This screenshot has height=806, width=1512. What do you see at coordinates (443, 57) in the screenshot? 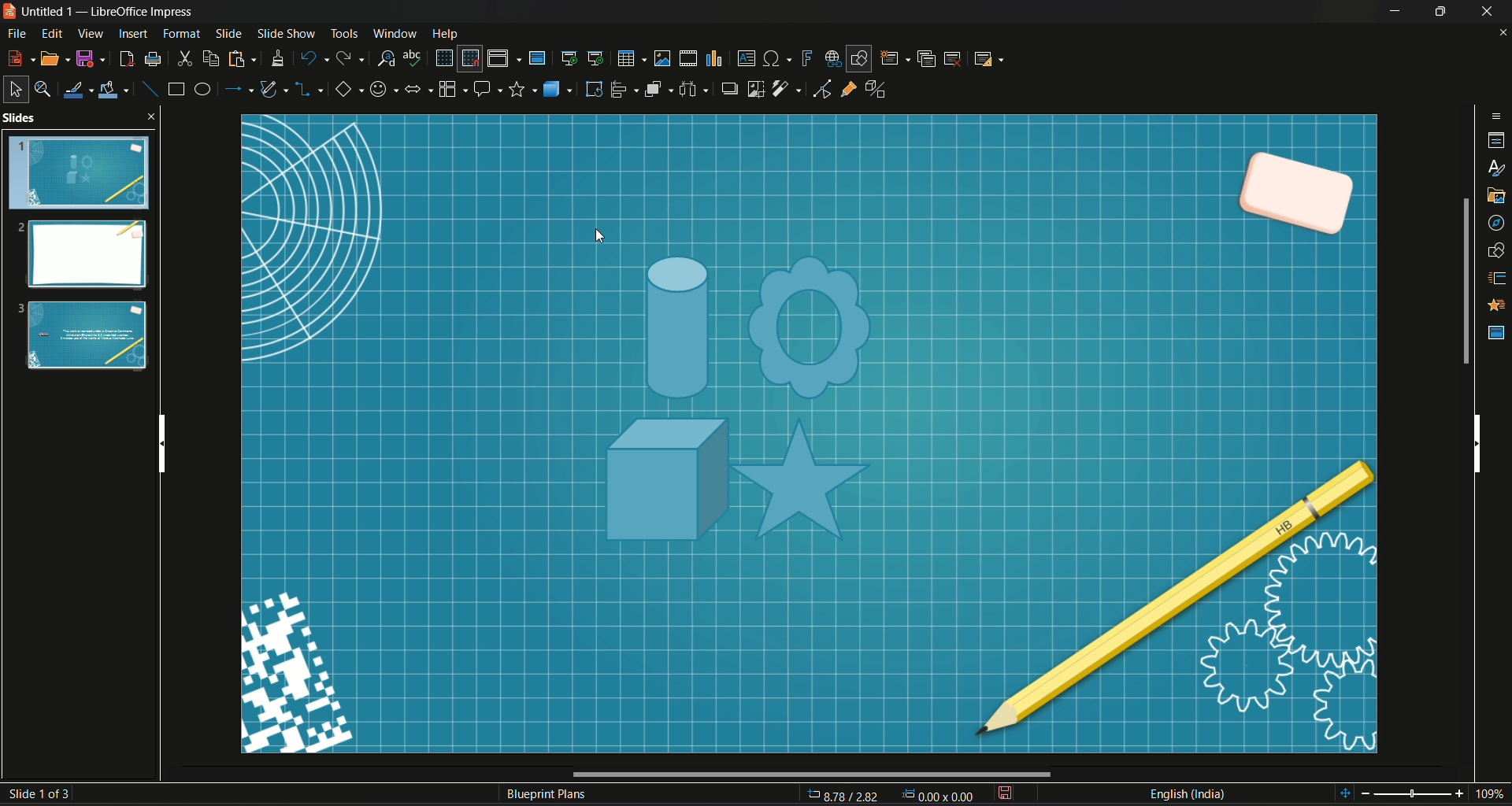
I see `display grid` at bounding box center [443, 57].